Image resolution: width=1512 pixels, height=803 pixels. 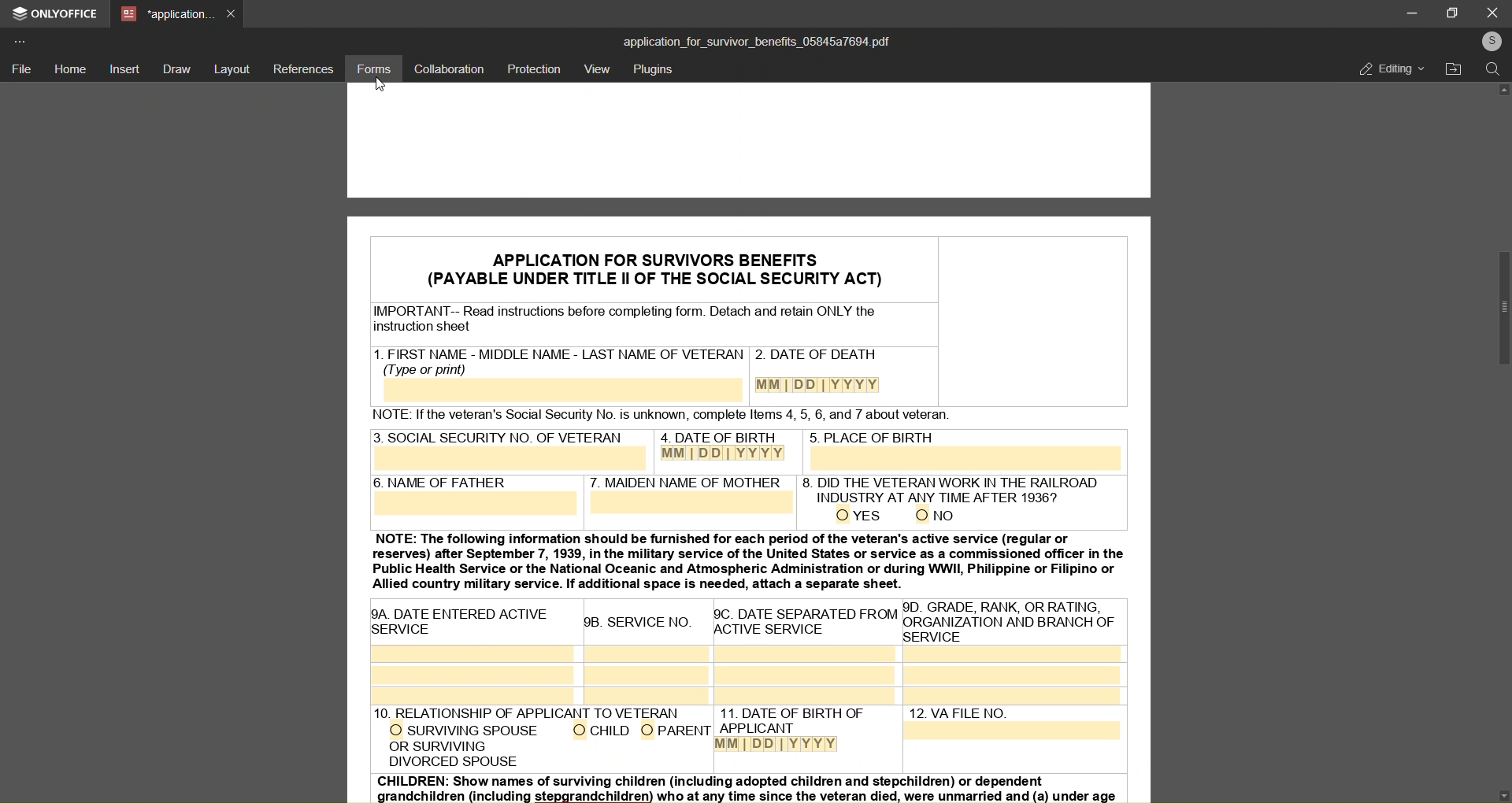 I want to click on scroll bar, so click(x=1503, y=309).